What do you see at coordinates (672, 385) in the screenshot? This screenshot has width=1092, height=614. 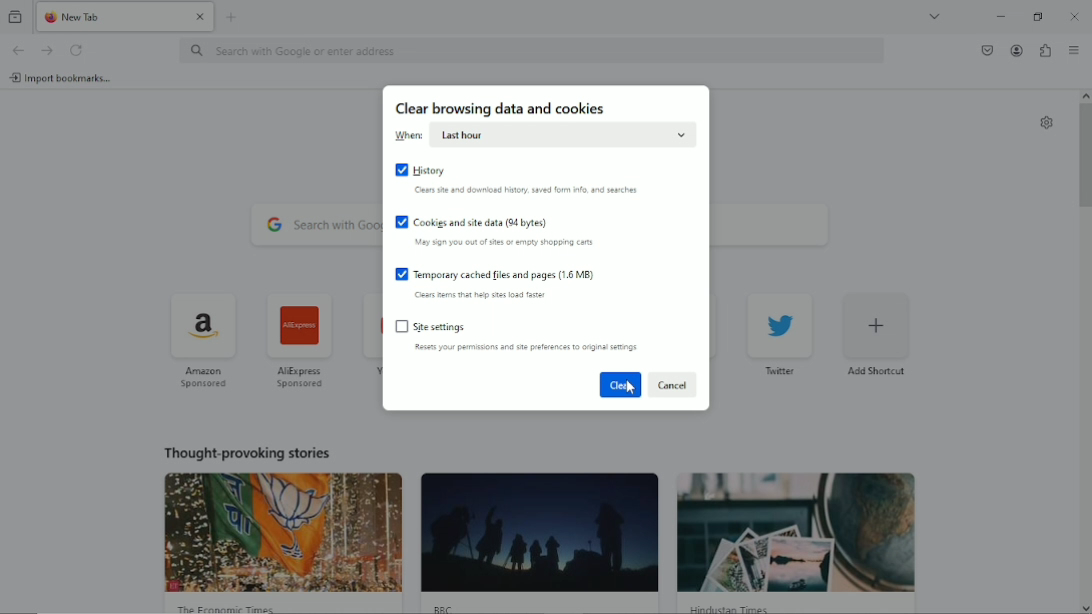 I see `cancel` at bounding box center [672, 385].